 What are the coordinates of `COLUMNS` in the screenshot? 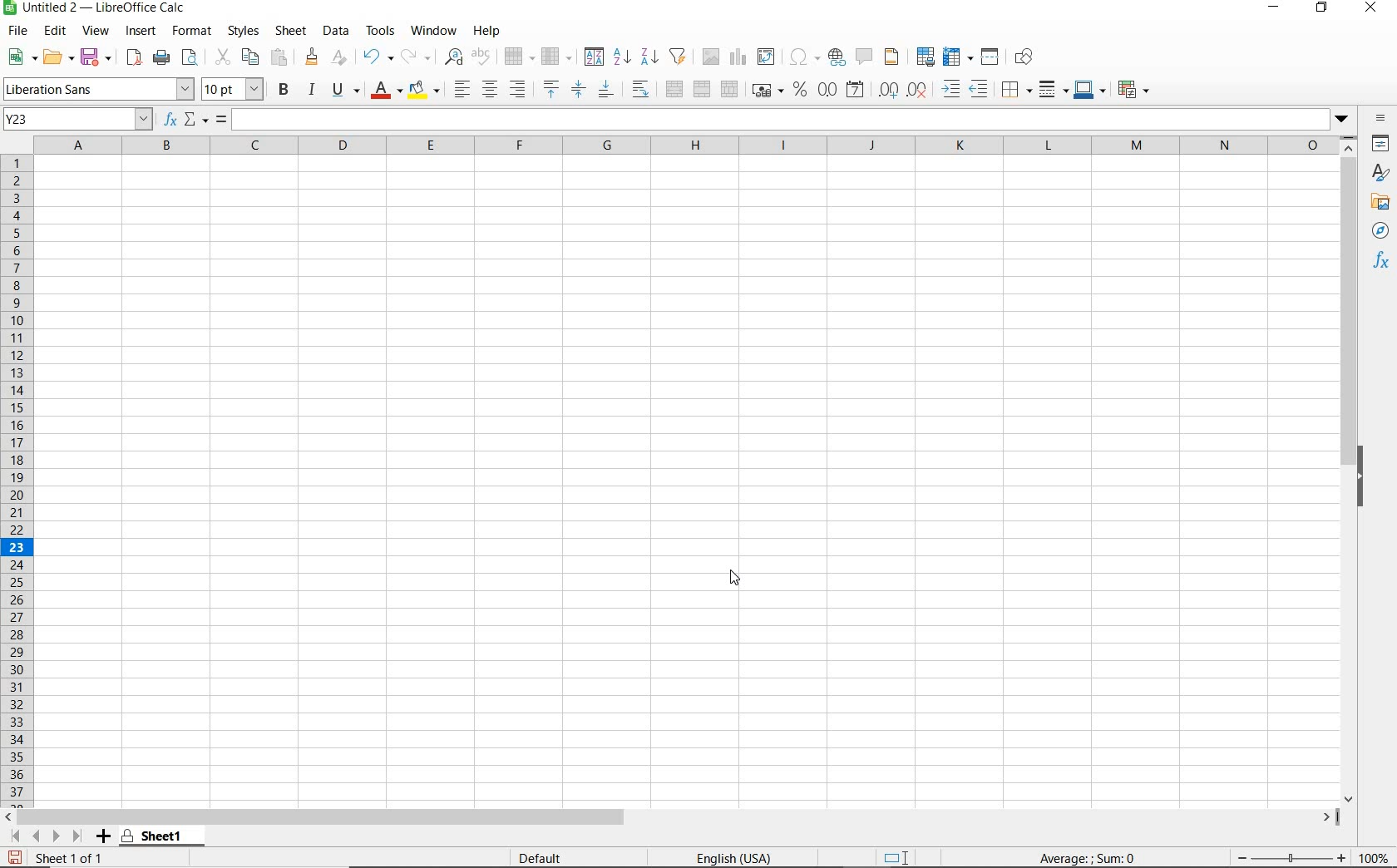 It's located at (689, 145).